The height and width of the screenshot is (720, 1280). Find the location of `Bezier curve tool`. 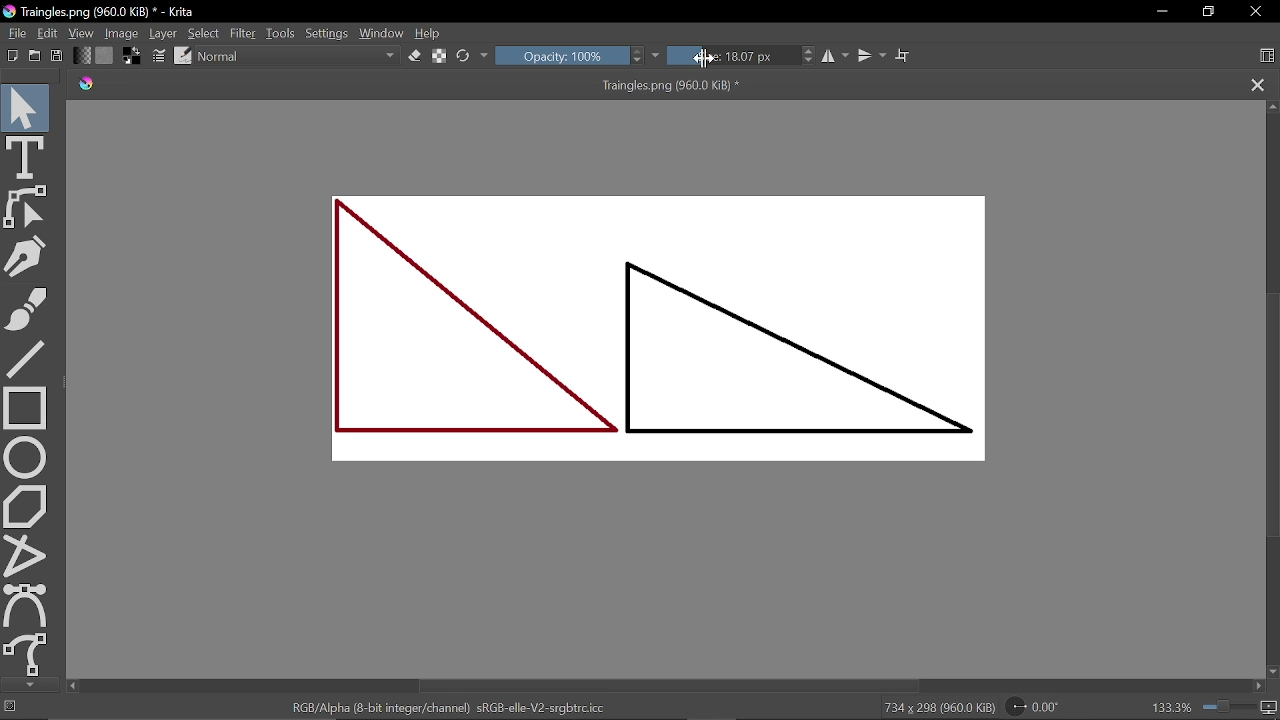

Bezier curve tool is located at coordinates (26, 605).